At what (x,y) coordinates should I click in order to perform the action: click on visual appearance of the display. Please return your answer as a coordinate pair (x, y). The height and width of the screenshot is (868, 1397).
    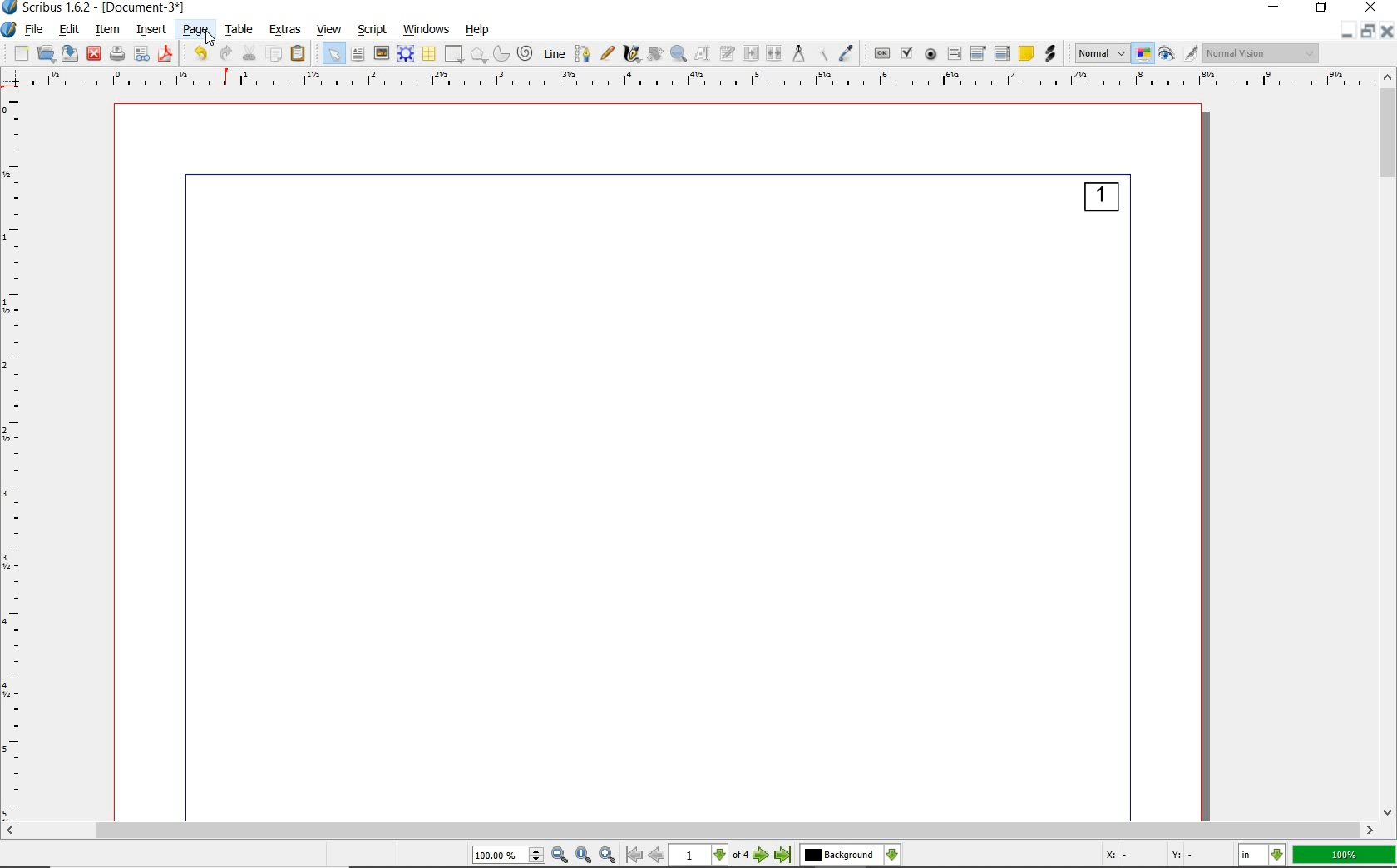
    Looking at the image, I should click on (1263, 52).